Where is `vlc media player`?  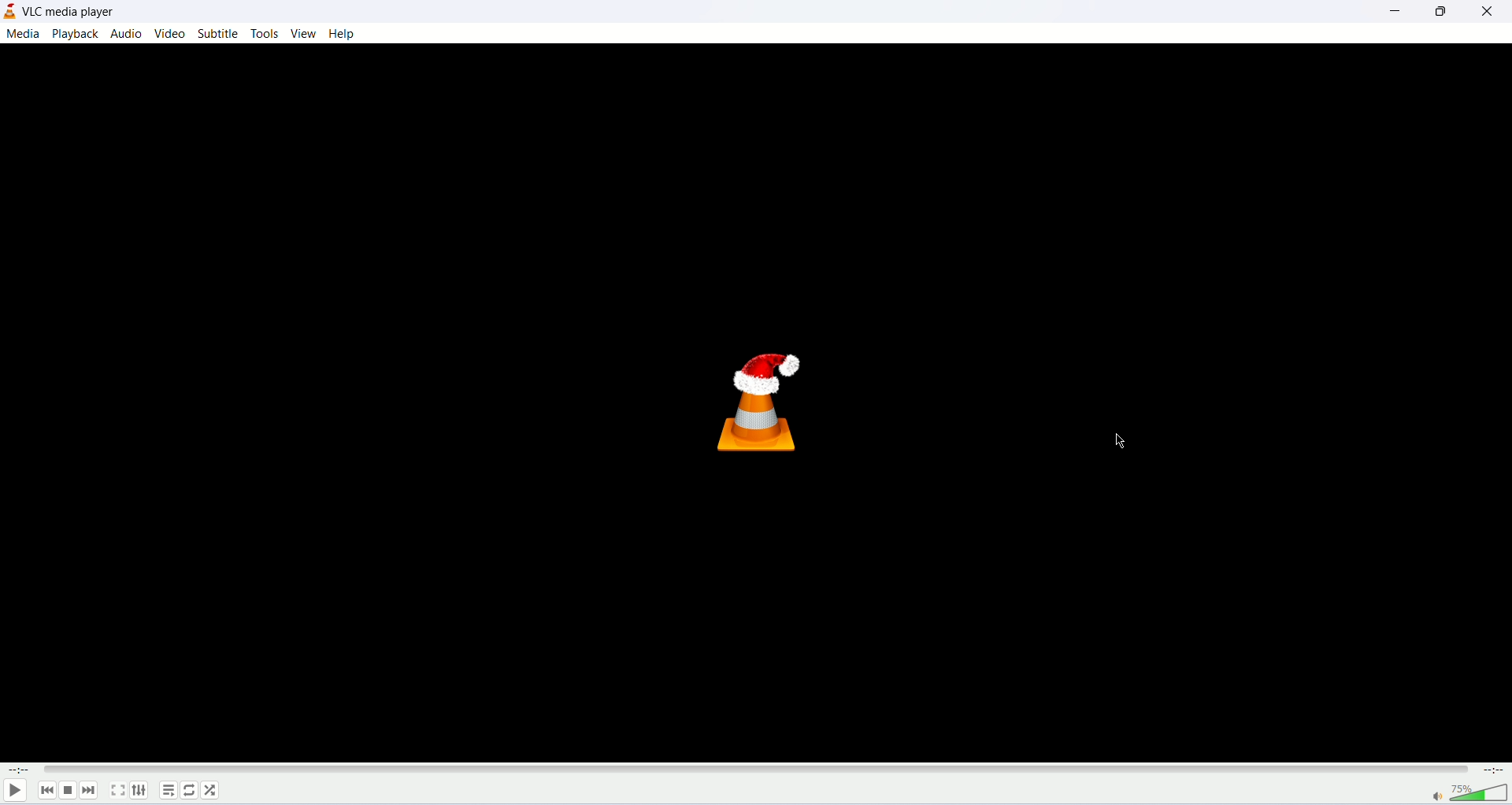 vlc media player is located at coordinates (68, 13).